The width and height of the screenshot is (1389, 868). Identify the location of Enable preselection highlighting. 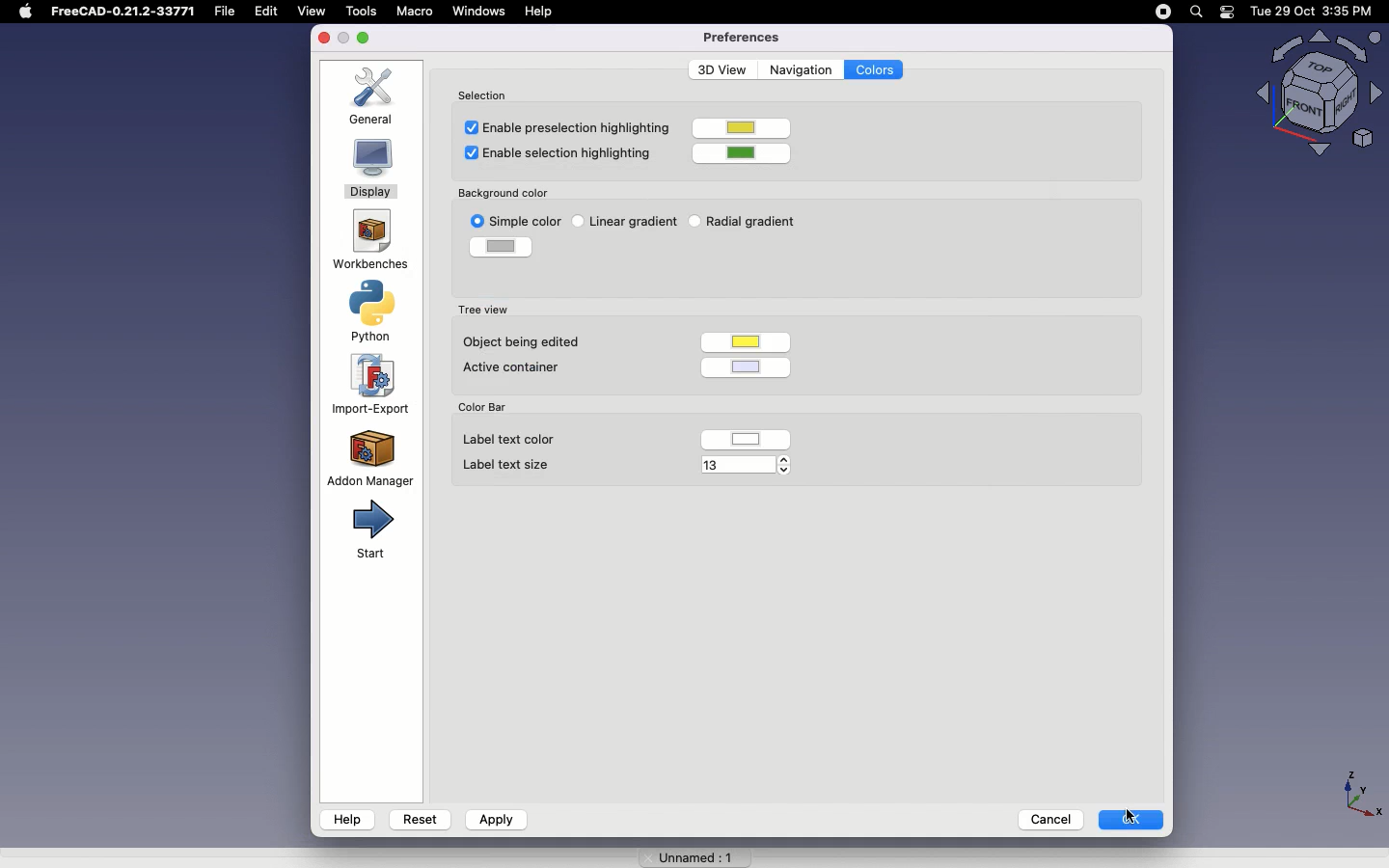
(562, 126).